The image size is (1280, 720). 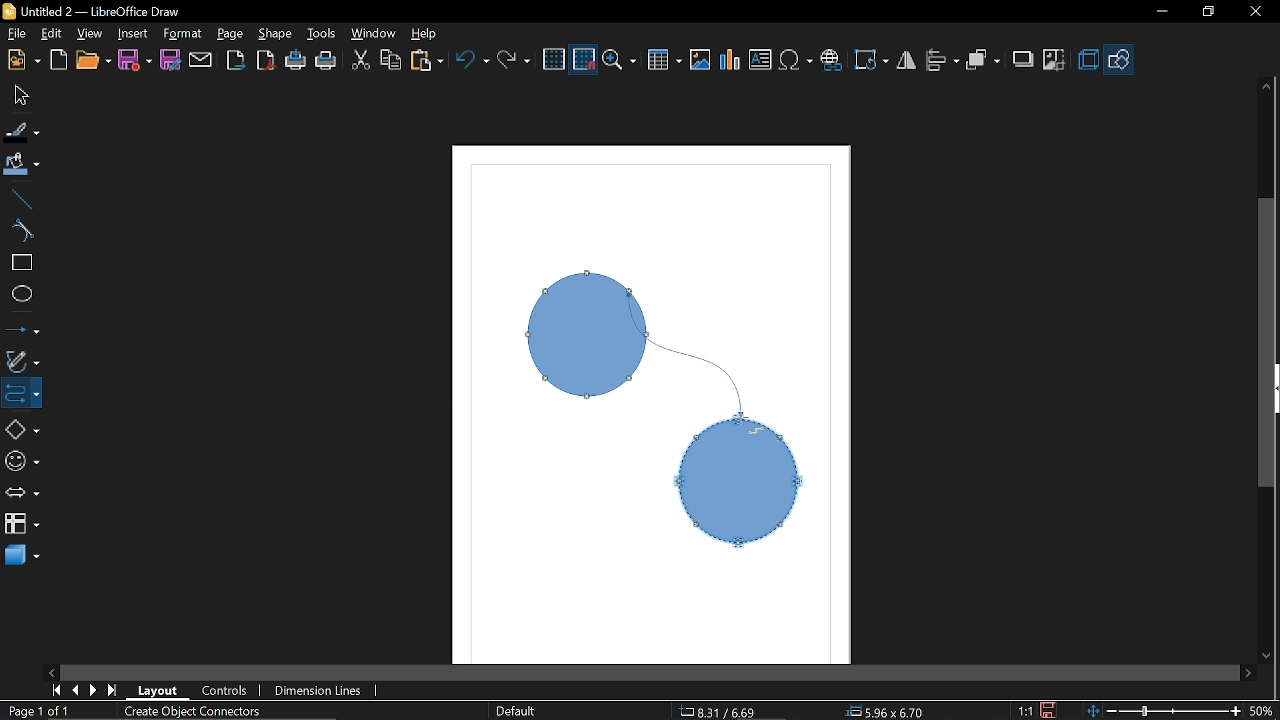 I want to click on Open, so click(x=93, y=60).